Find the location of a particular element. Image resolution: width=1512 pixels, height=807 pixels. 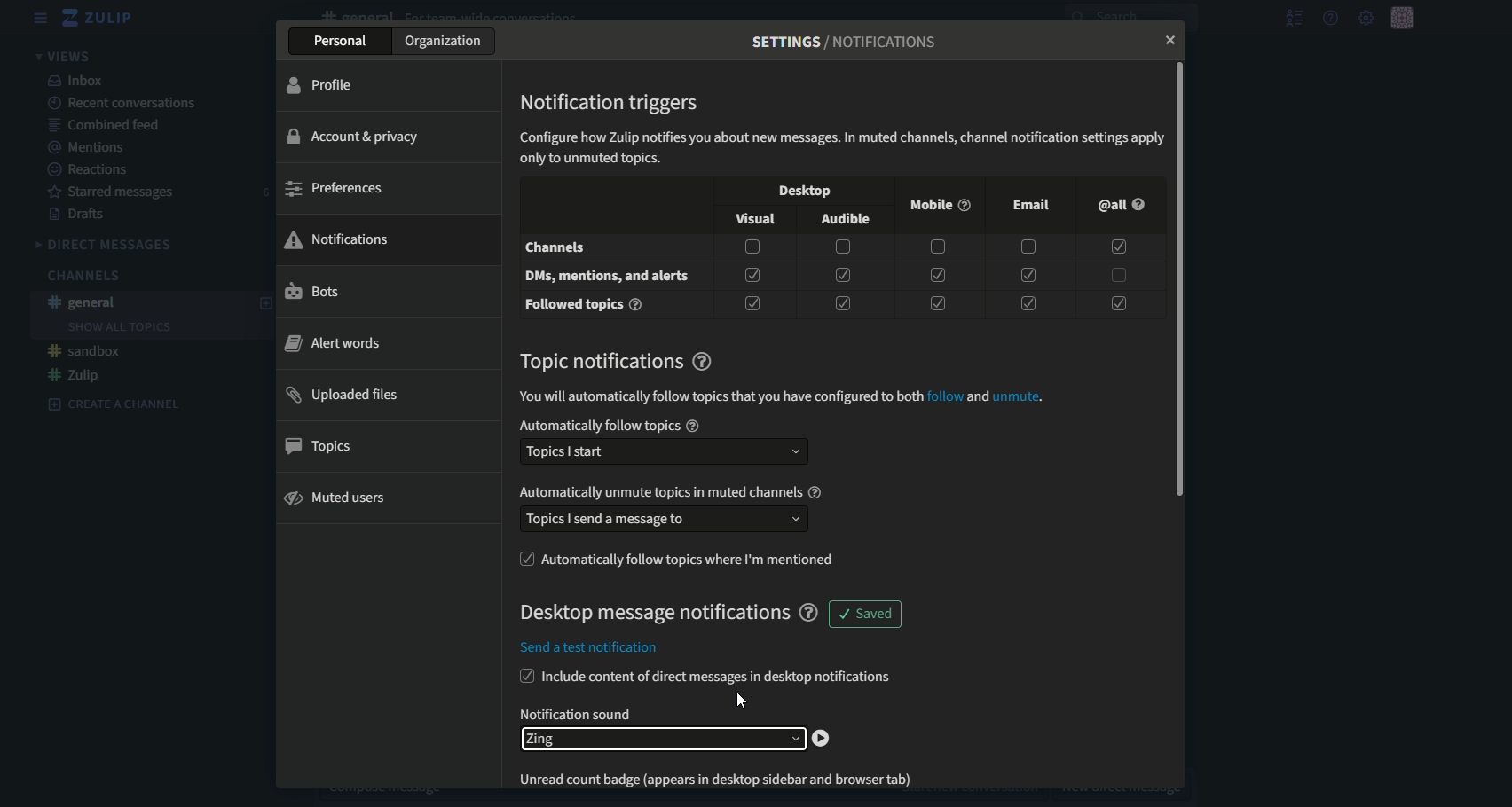

checkbox is located at coordinates (1026, 274).